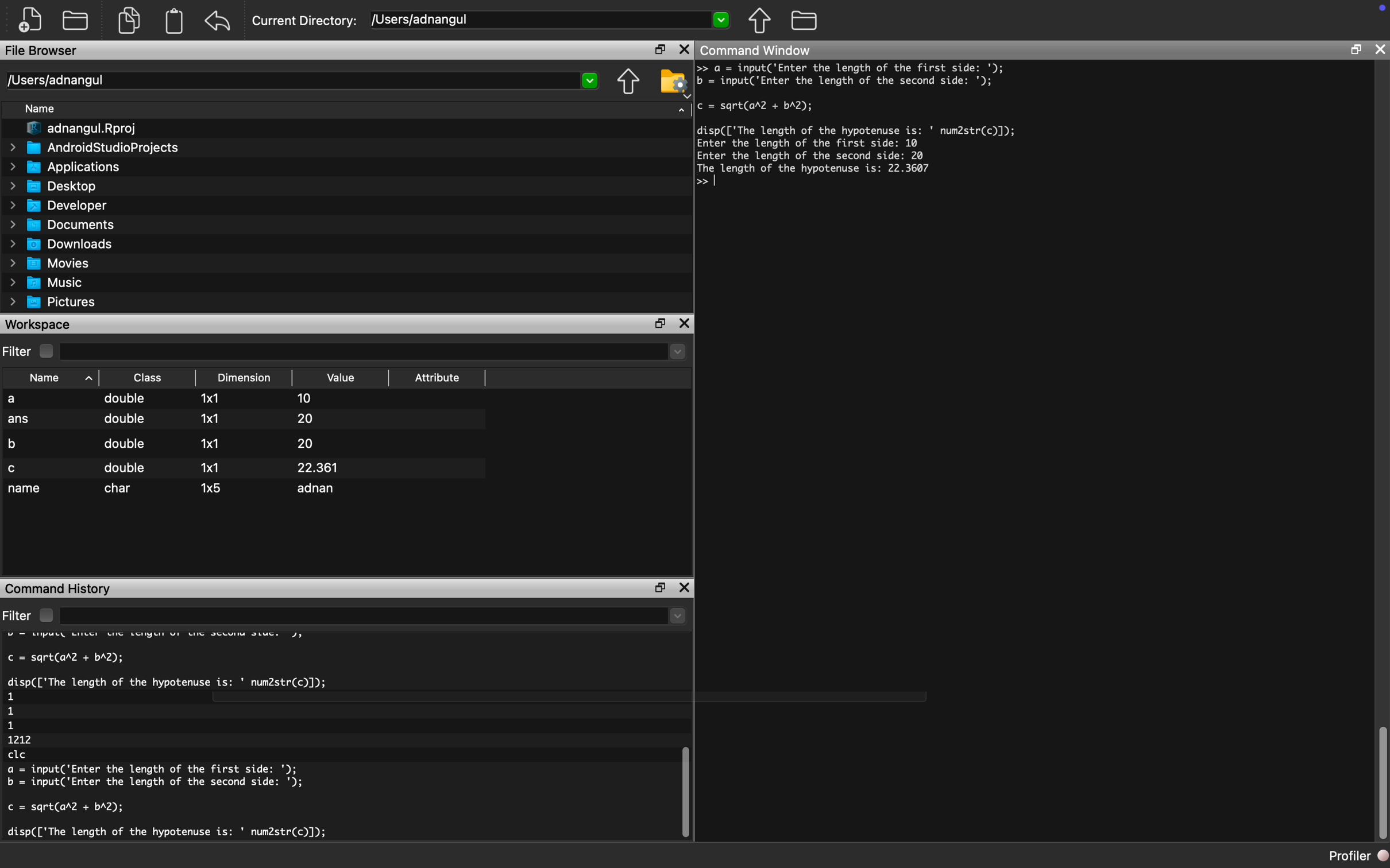 This screenshot has width=1390, height=868. Describe the element at coordinates (1346, 855) in the screenshot. I see `profiler` at that location.